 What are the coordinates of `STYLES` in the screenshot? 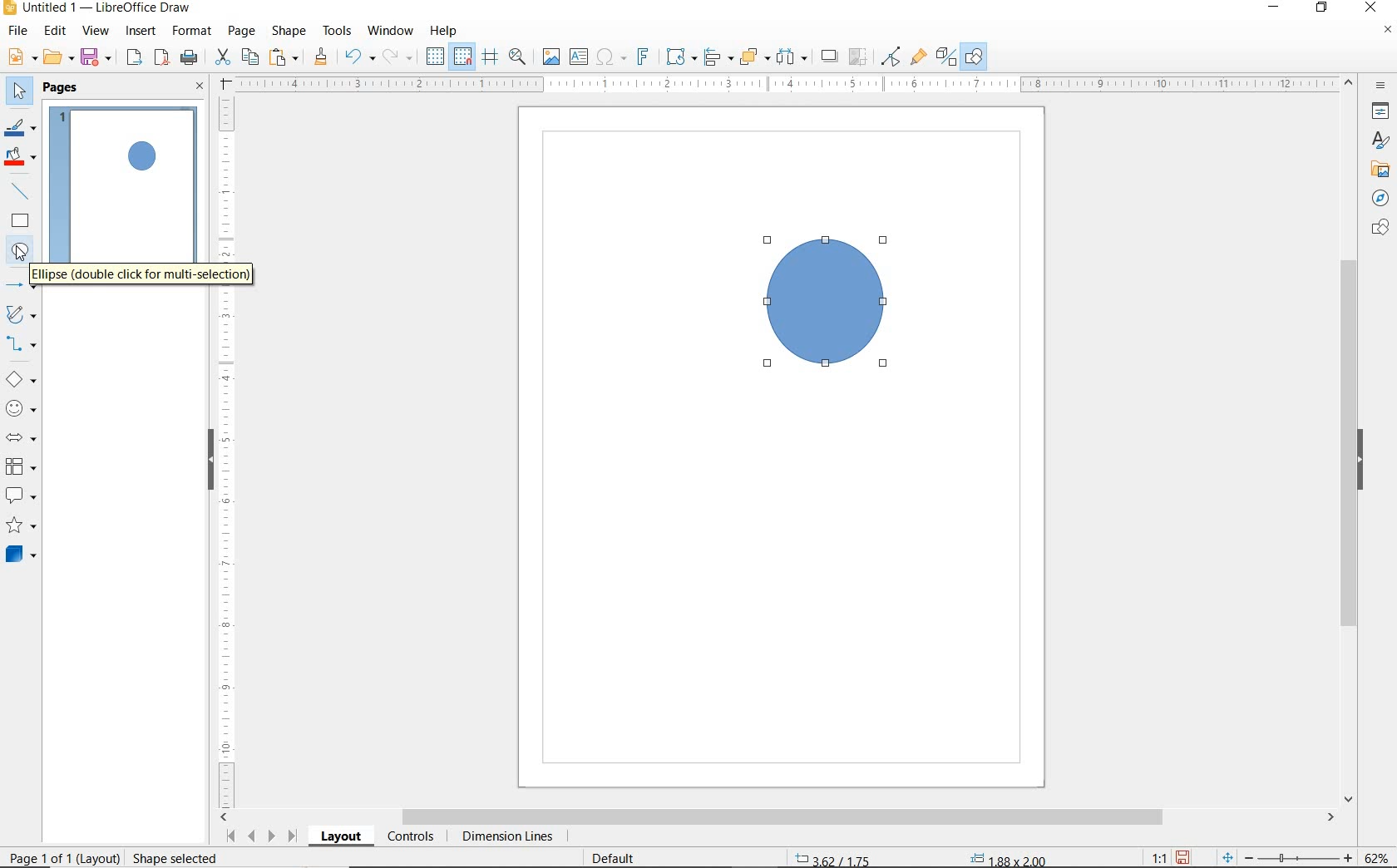 It's located at (1376, 143).